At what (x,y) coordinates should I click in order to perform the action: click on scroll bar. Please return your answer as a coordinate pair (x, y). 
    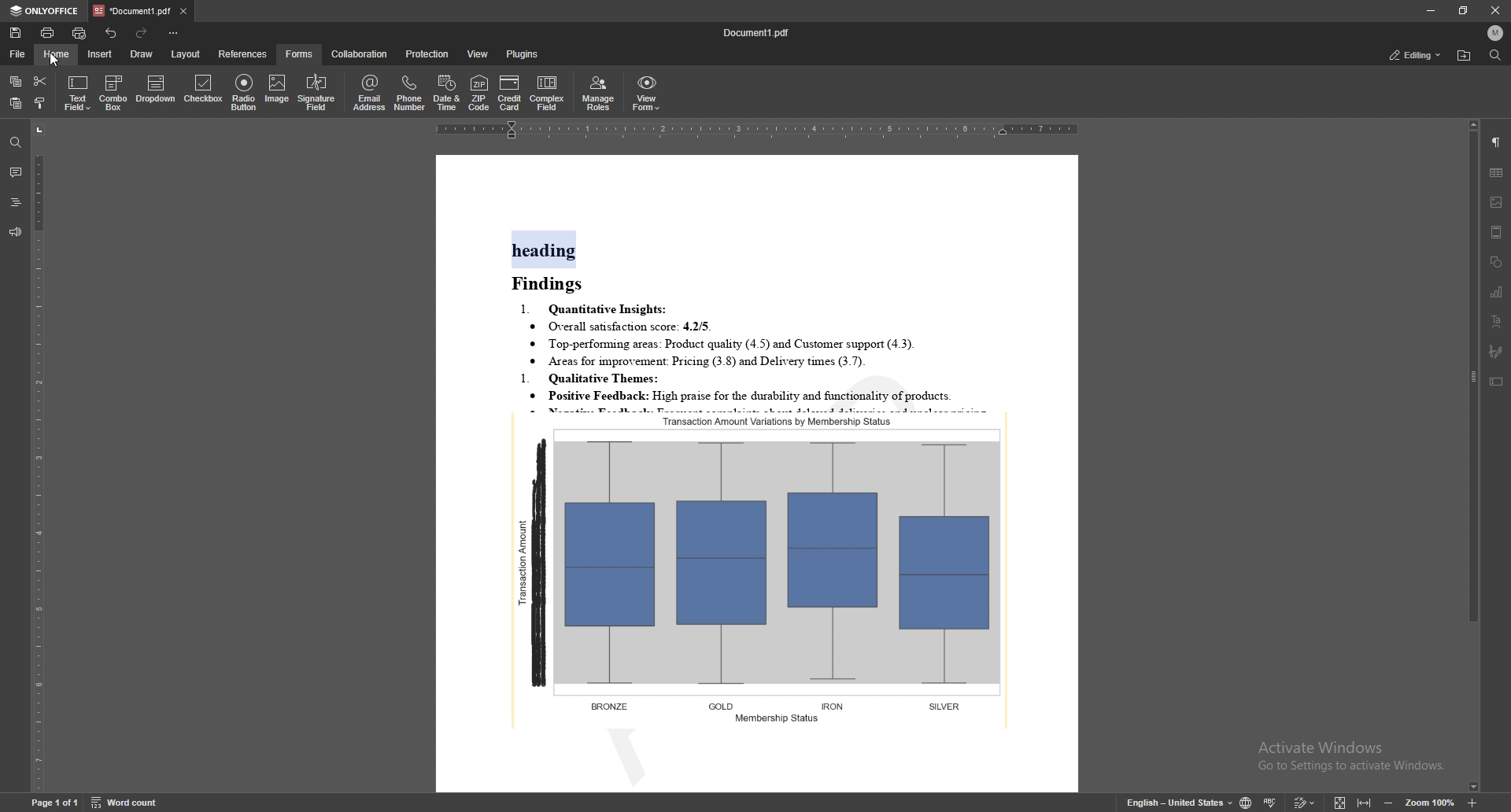
    Looking at the image, I should click on (1471, 456).